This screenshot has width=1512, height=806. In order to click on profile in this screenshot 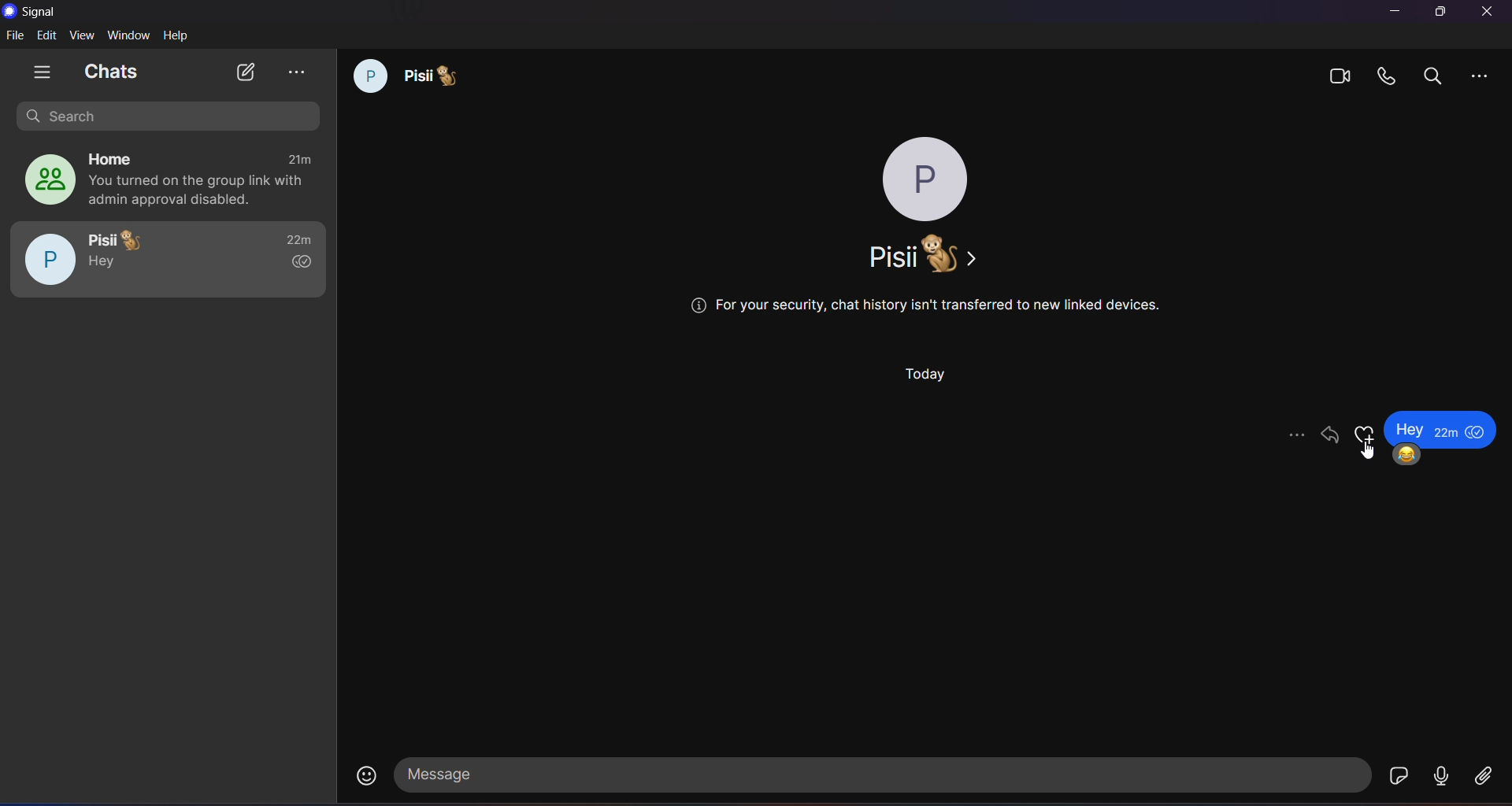, I will do `click(923, 178)`.